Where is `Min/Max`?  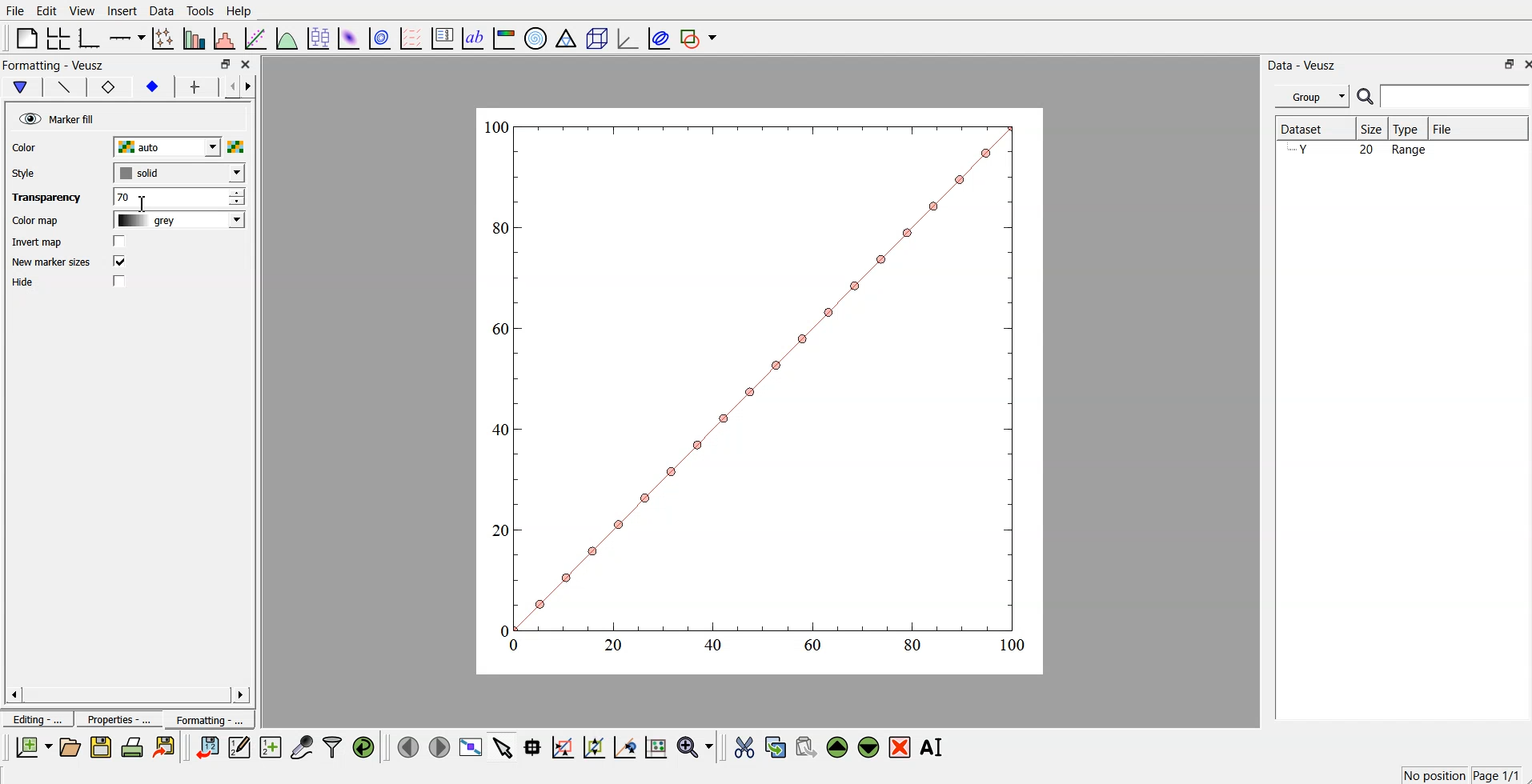
Min/Max is located at coordinates (1502, 64).